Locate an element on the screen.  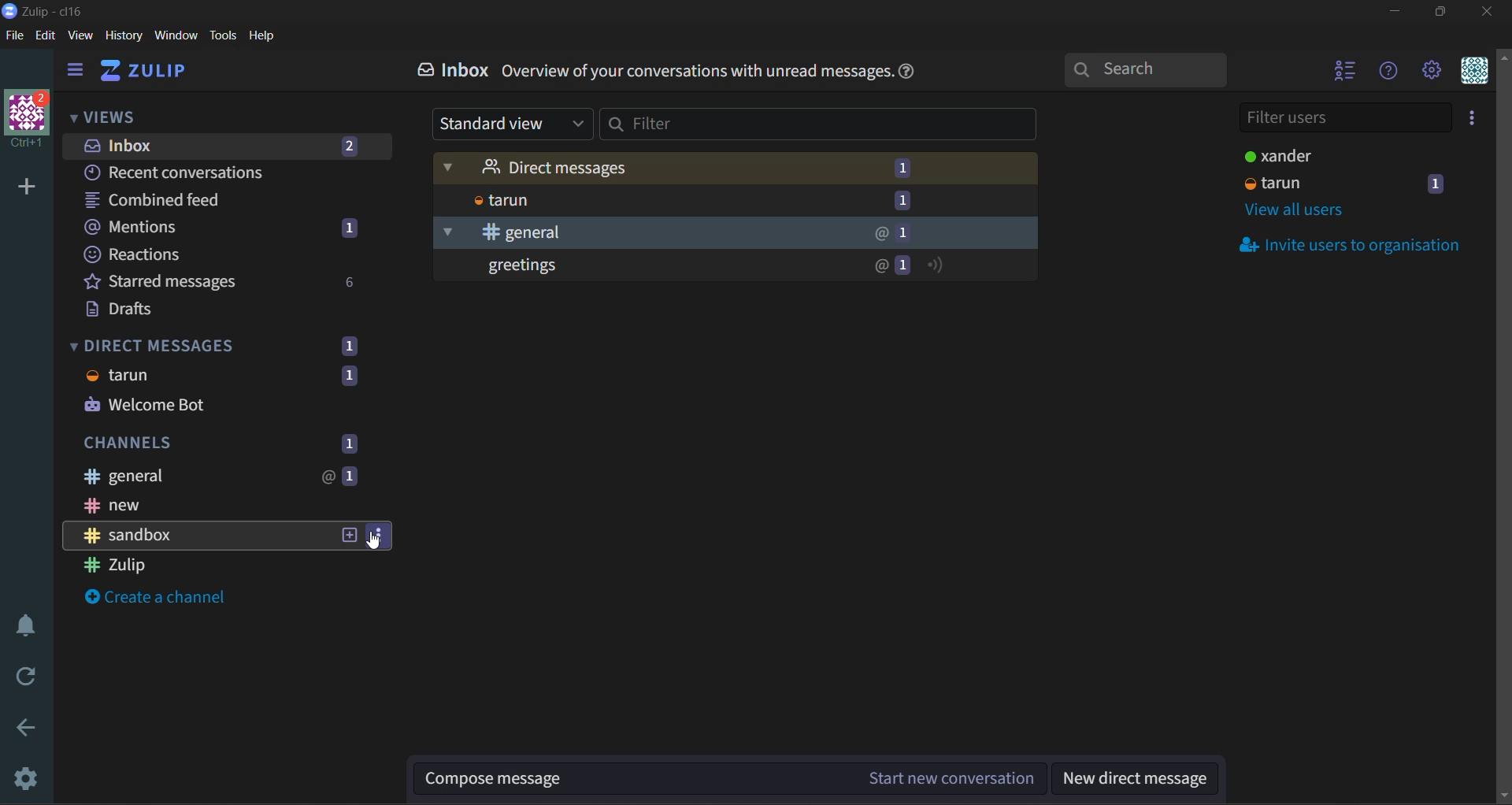
filter users is located at coordinates (1343, 119).